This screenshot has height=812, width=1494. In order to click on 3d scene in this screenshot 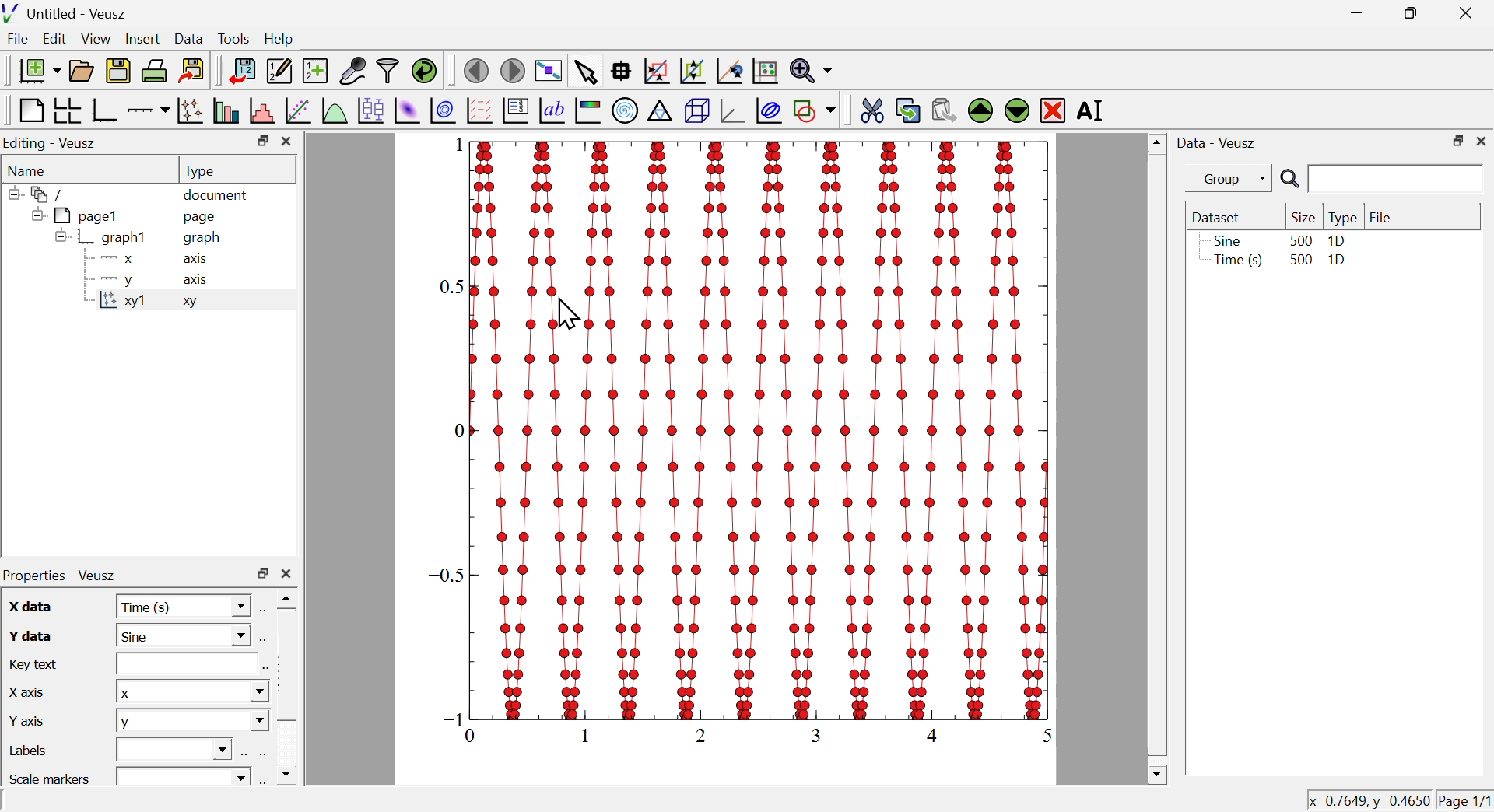, I will do `click(697, 112)`.